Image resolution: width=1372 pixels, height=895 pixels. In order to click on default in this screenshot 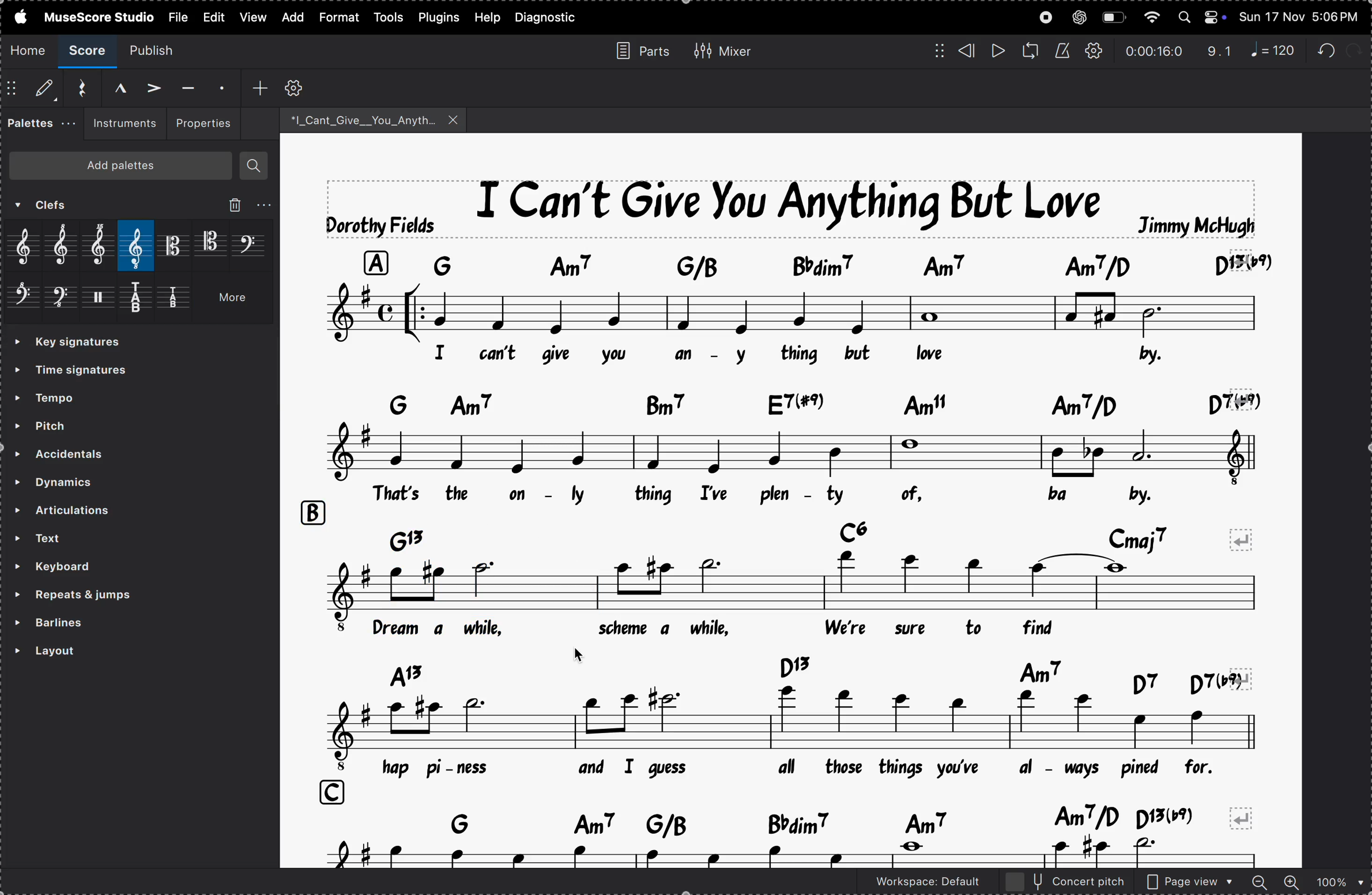, I will do `click(33, 90)`.